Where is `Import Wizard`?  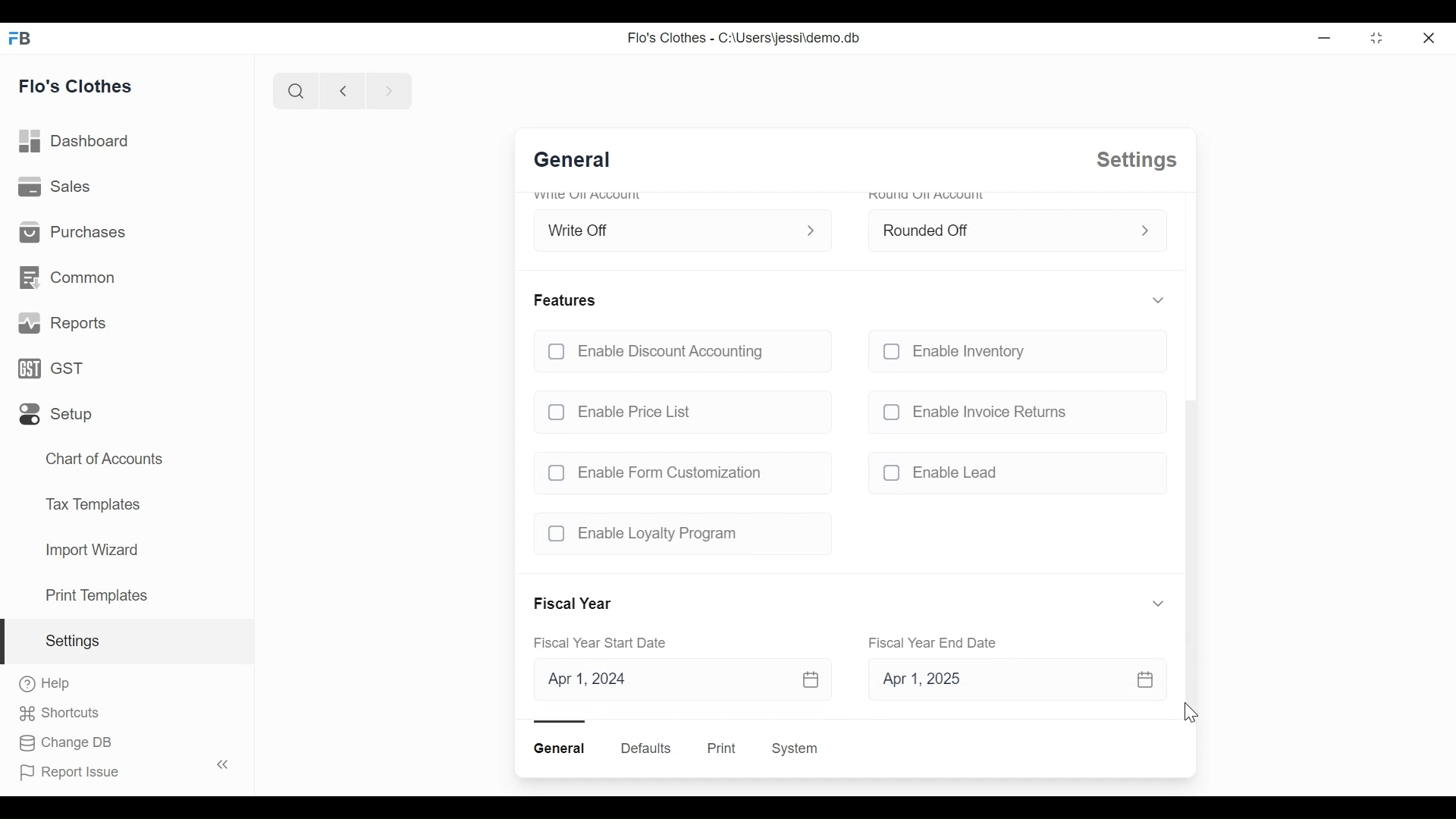
Import Wizard is located at coordinates (91, 551).